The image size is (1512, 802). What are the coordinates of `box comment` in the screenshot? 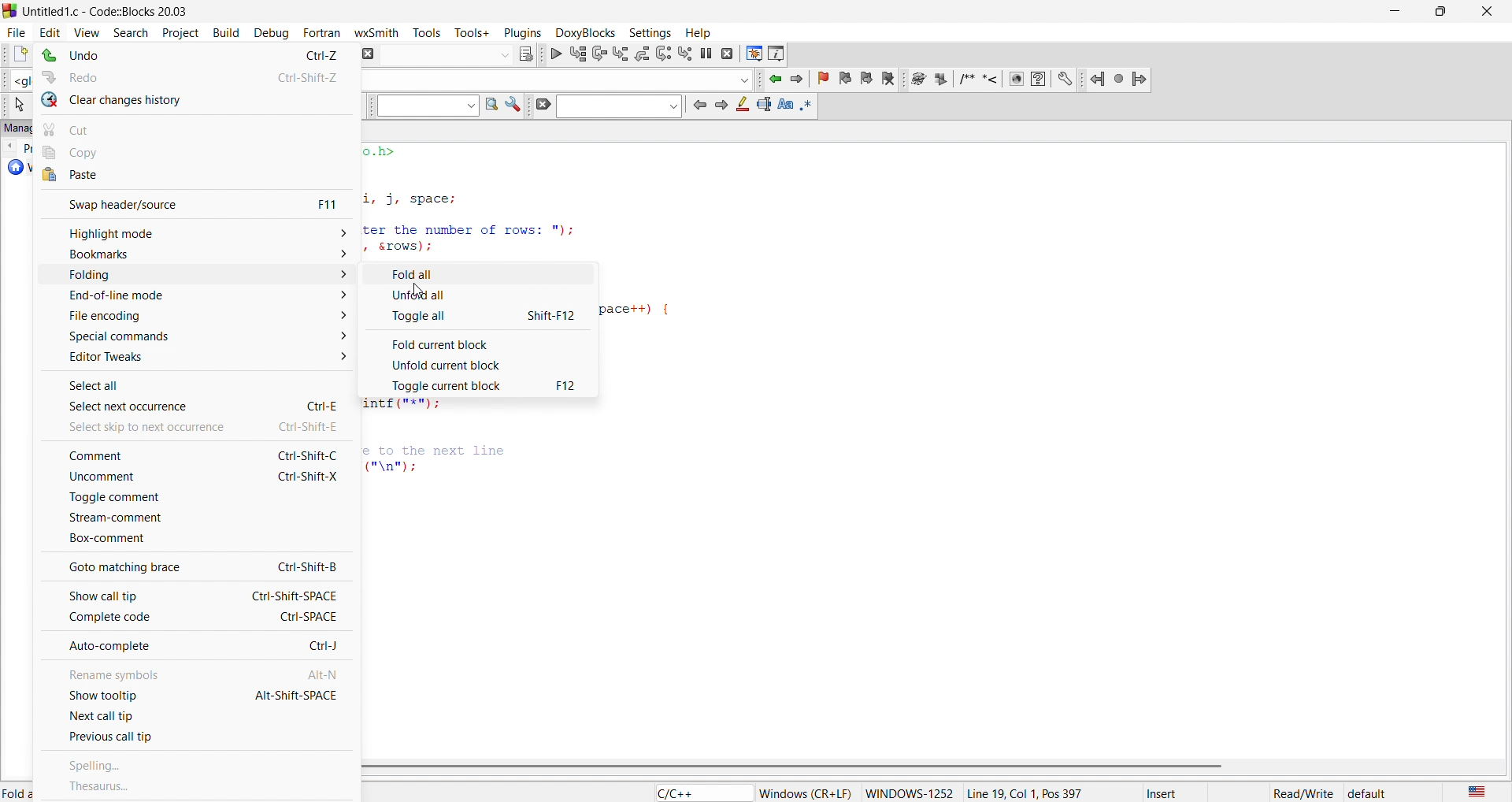 It's located at (192, 540).